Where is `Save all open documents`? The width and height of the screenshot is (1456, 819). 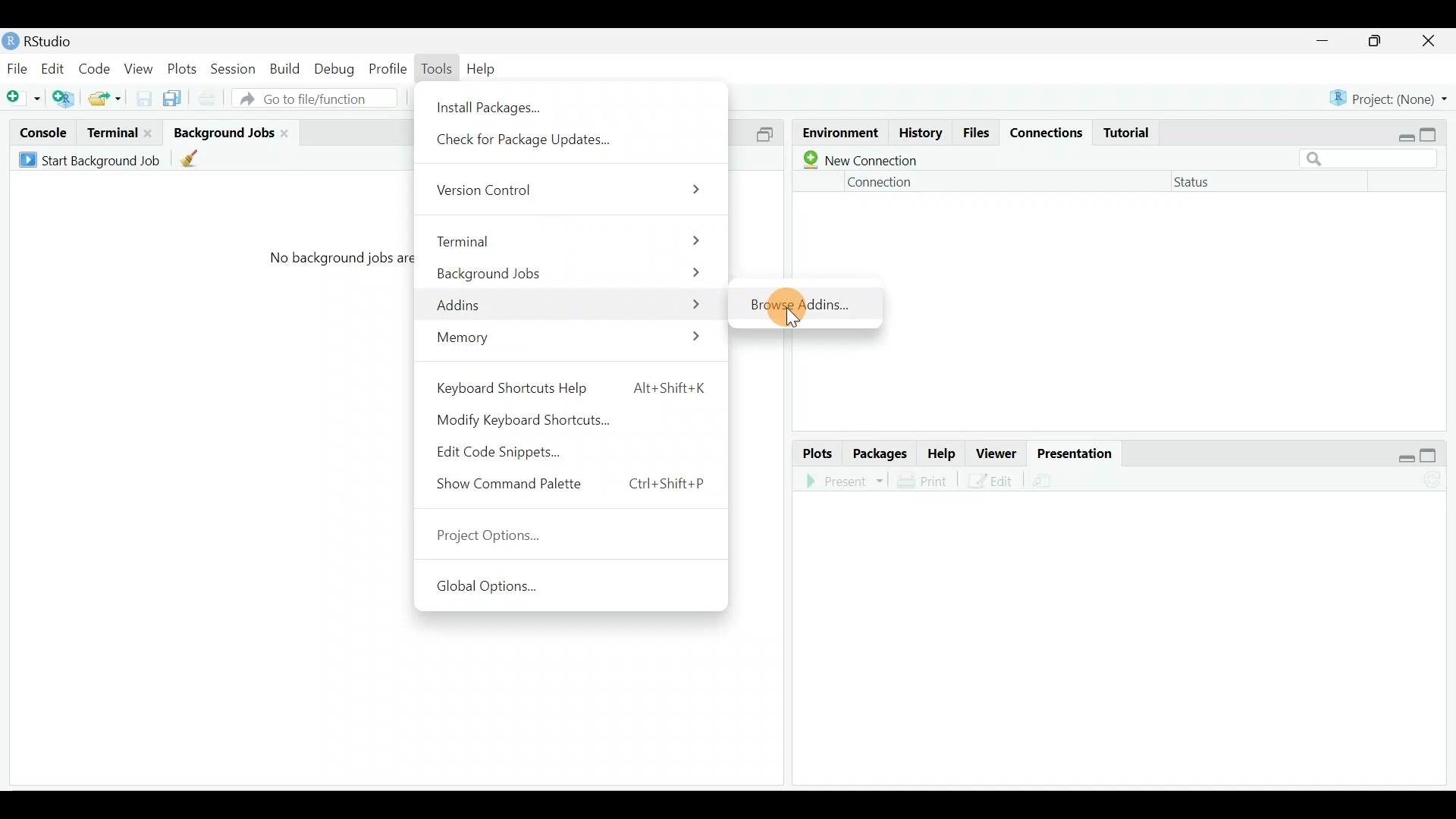 Save all open documents is located at coordinates (170, 101).